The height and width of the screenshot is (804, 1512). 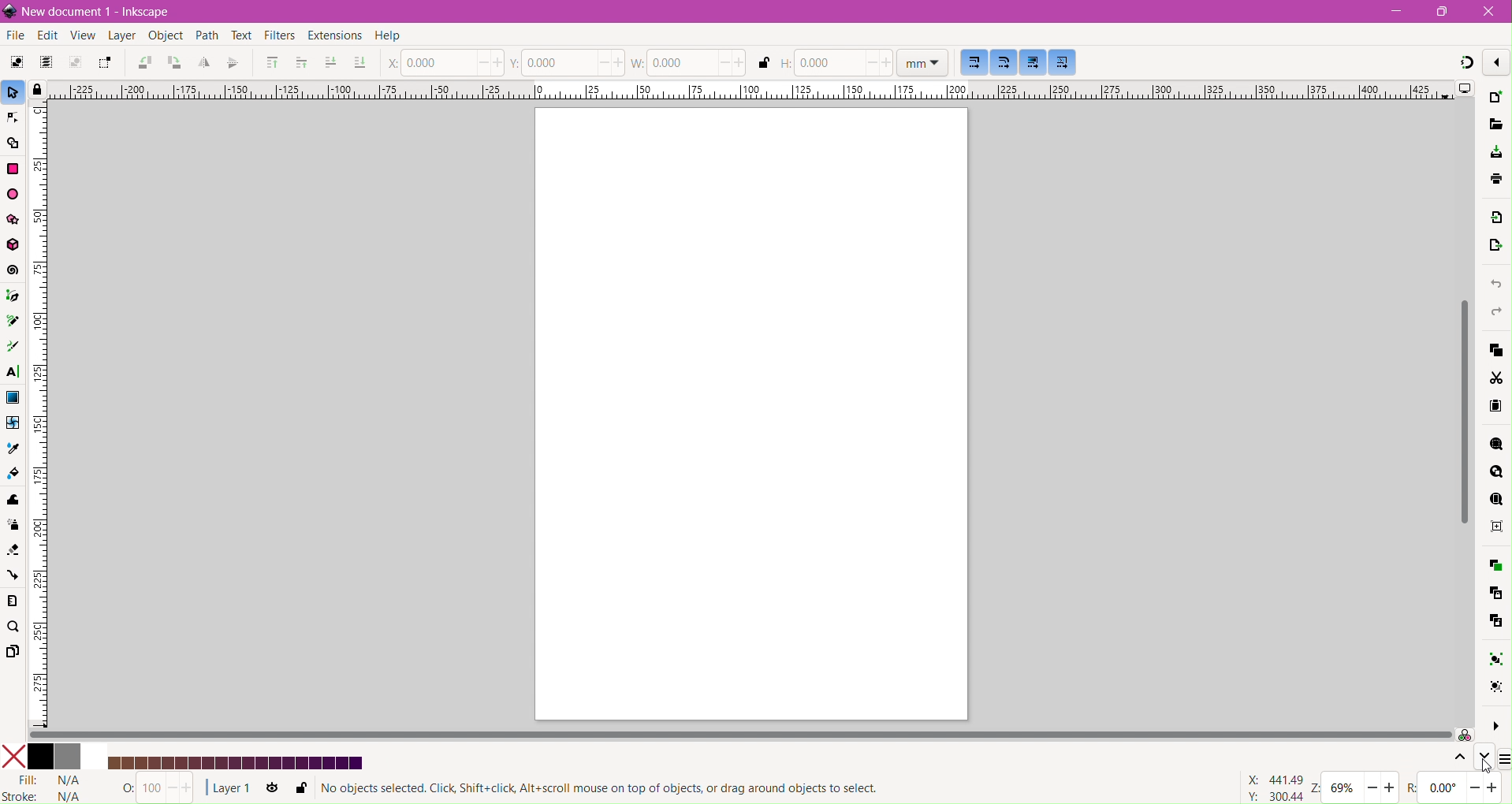 I want to click on Object, so click(x=163, y=37).